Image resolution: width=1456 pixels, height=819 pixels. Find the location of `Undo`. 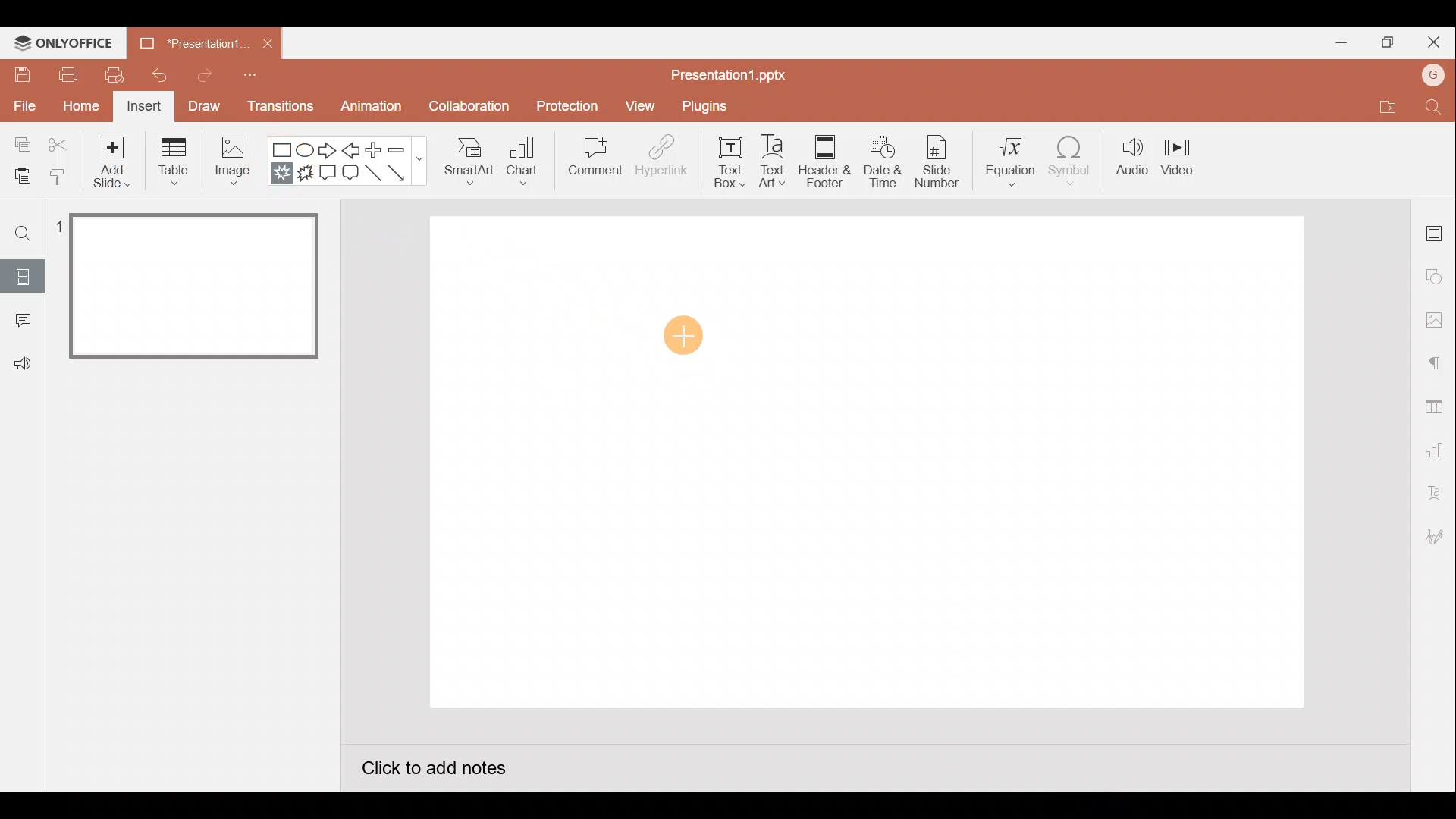

Undo is located at coordinates (158, 73).